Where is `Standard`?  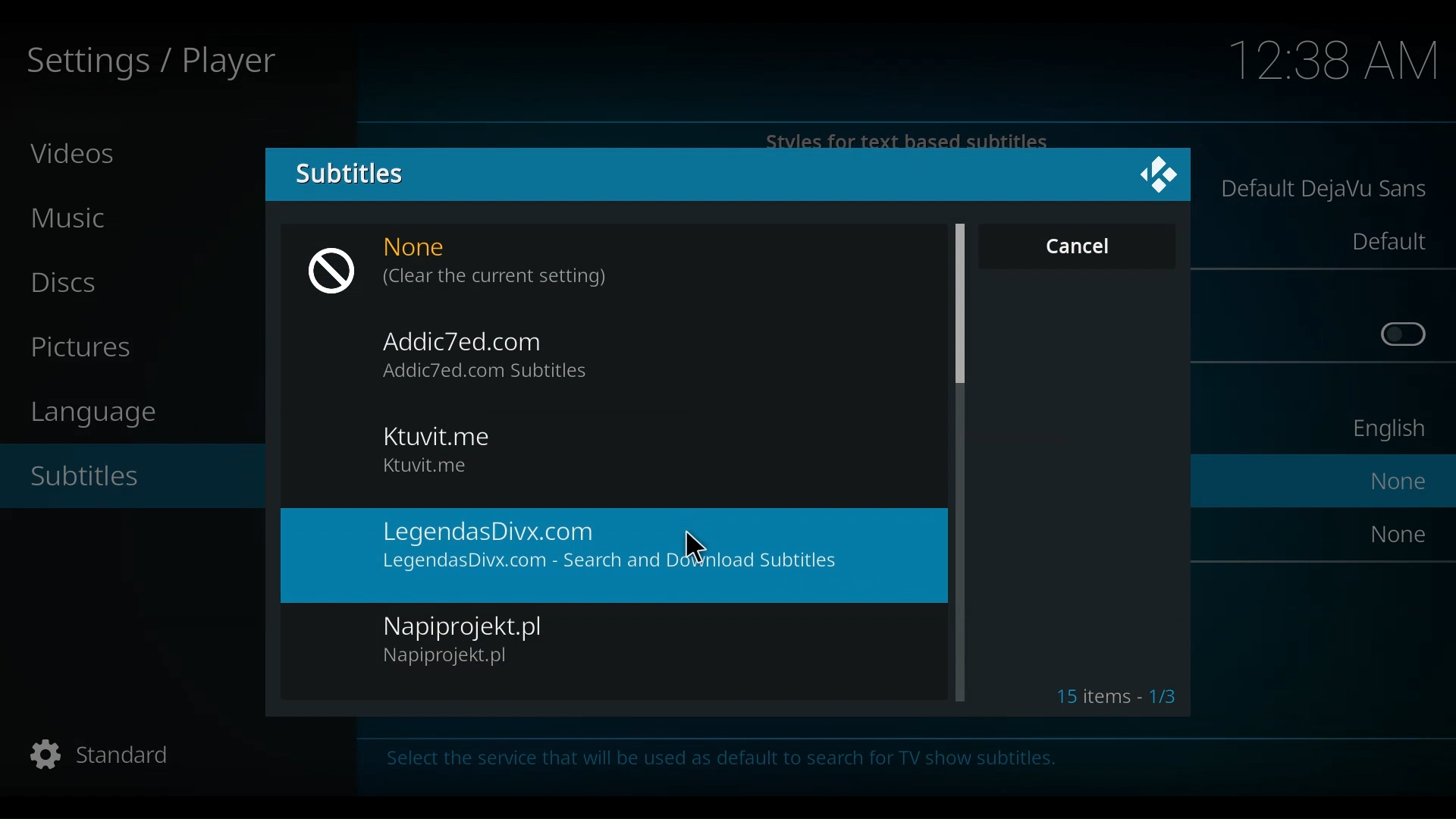
Standard is located at coordinates (97, 757).